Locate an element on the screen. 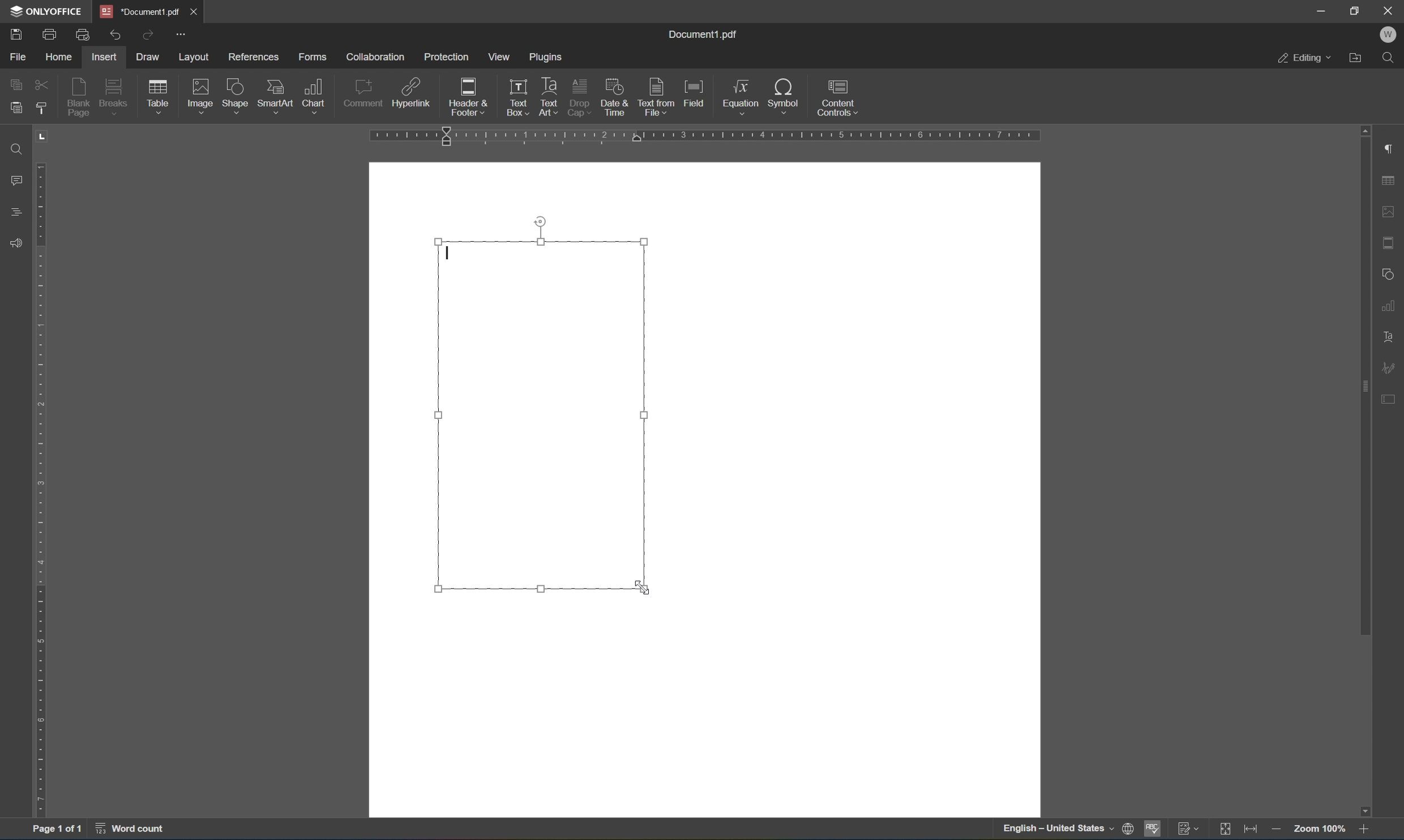  Open file location is located at coordinates (1356, 58).